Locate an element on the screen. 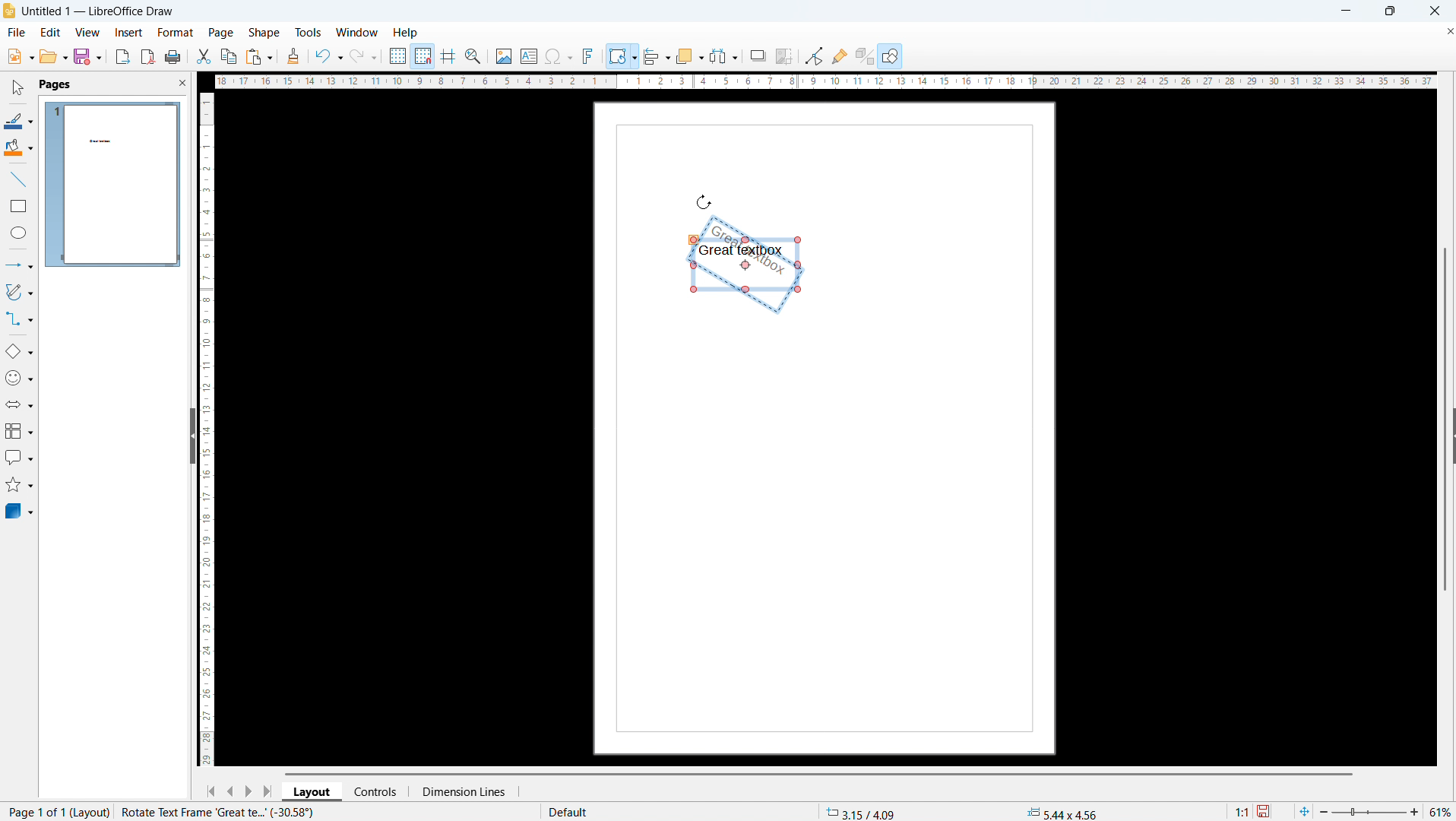  view is located at coordinates (87, 32).